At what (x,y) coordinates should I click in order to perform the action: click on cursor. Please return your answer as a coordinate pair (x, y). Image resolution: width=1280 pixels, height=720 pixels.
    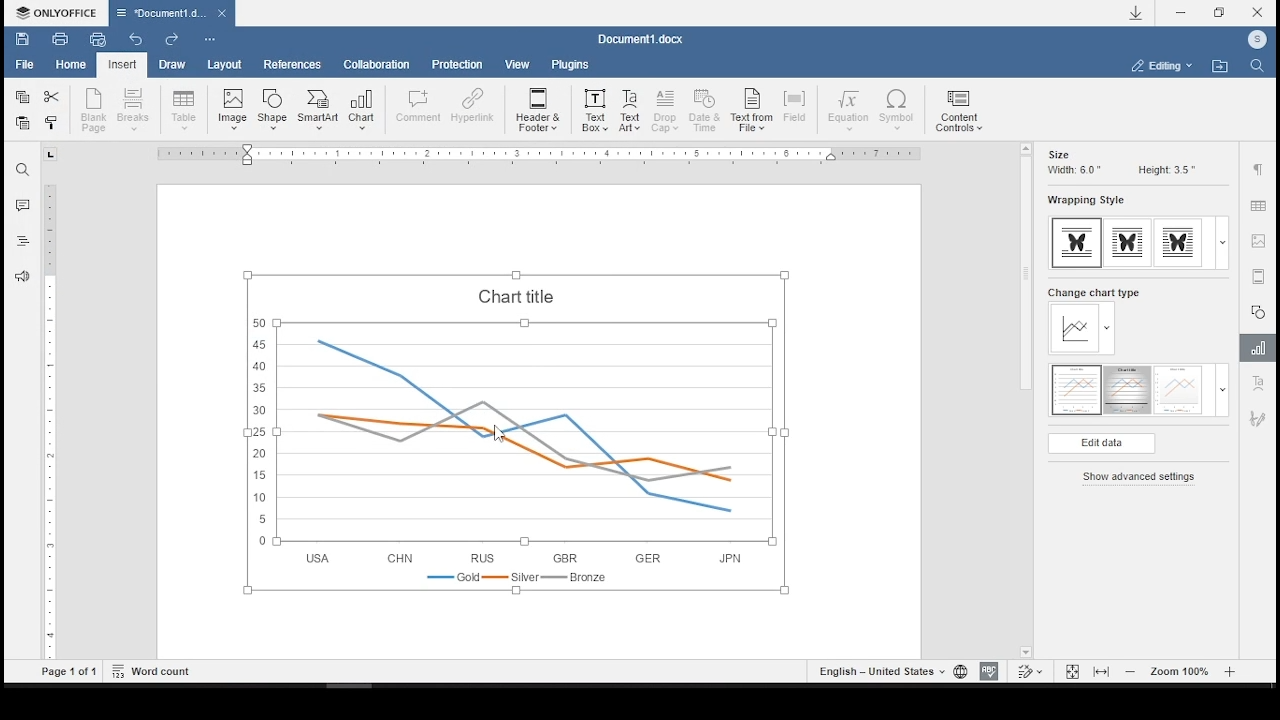
    Looking at the image, I should click on (501, 435).